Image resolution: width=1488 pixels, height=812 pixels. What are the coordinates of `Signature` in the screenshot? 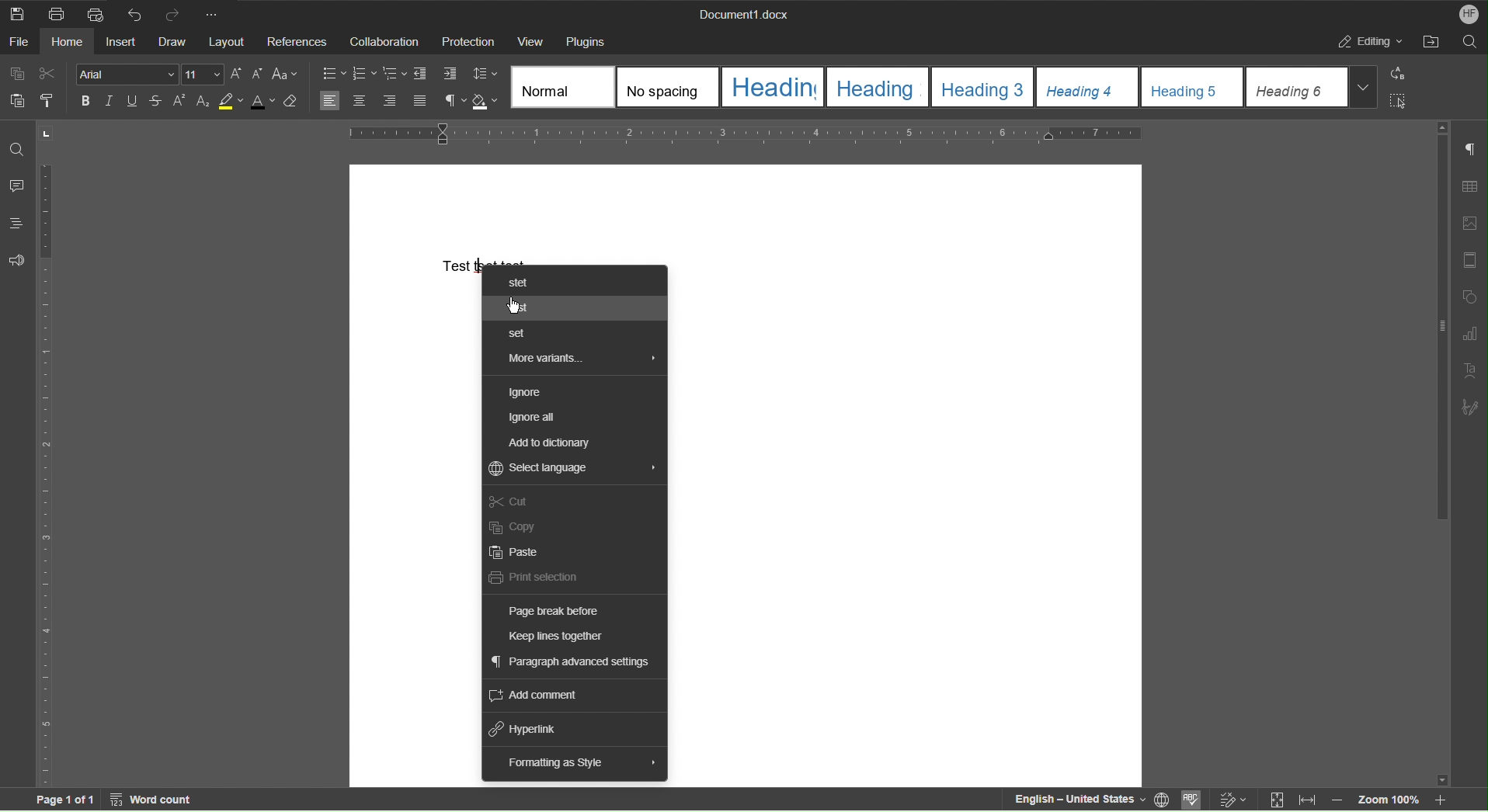 It's located at (1470, 406).